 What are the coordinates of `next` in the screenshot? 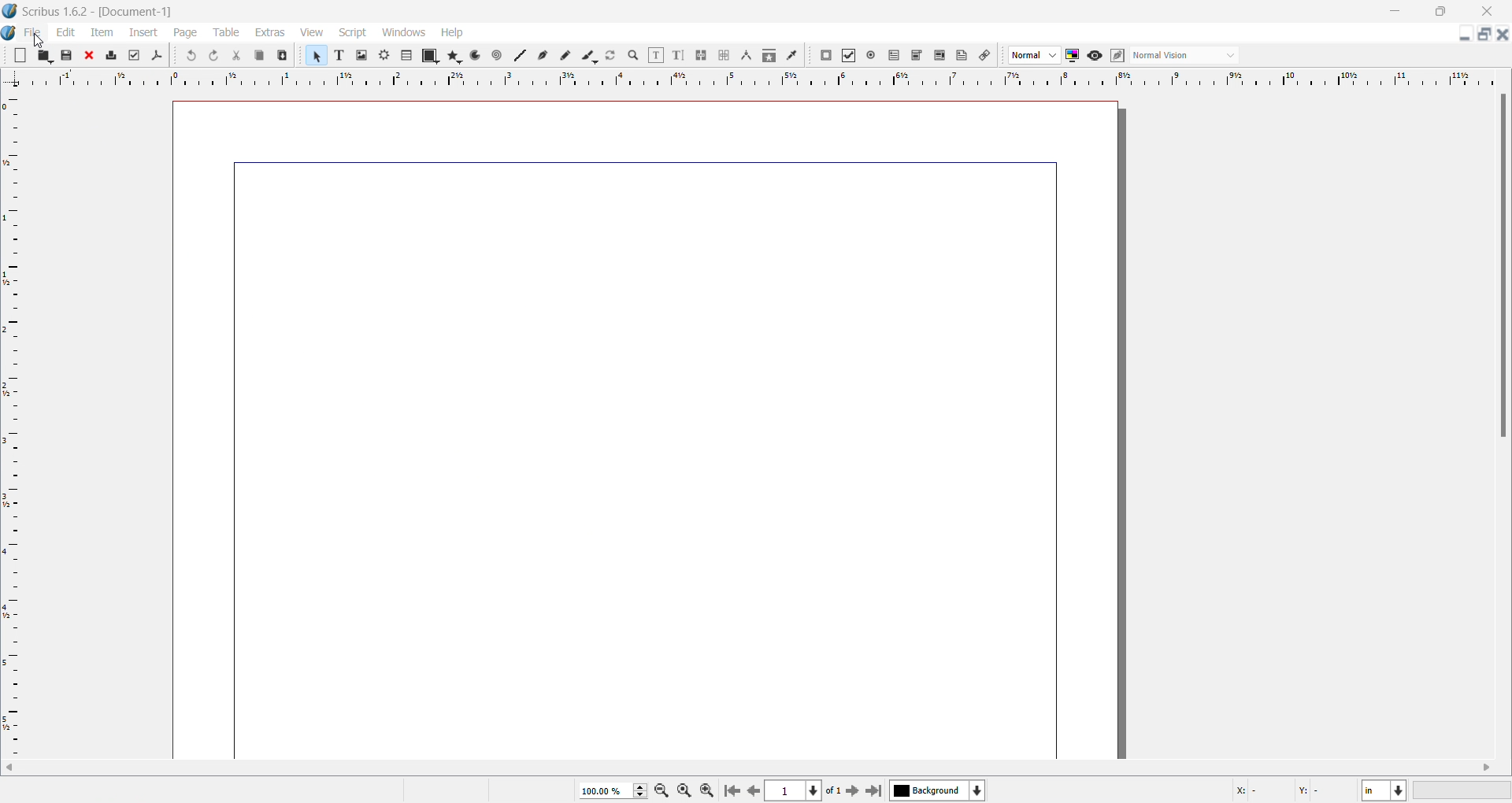 It's located at (854, 793).